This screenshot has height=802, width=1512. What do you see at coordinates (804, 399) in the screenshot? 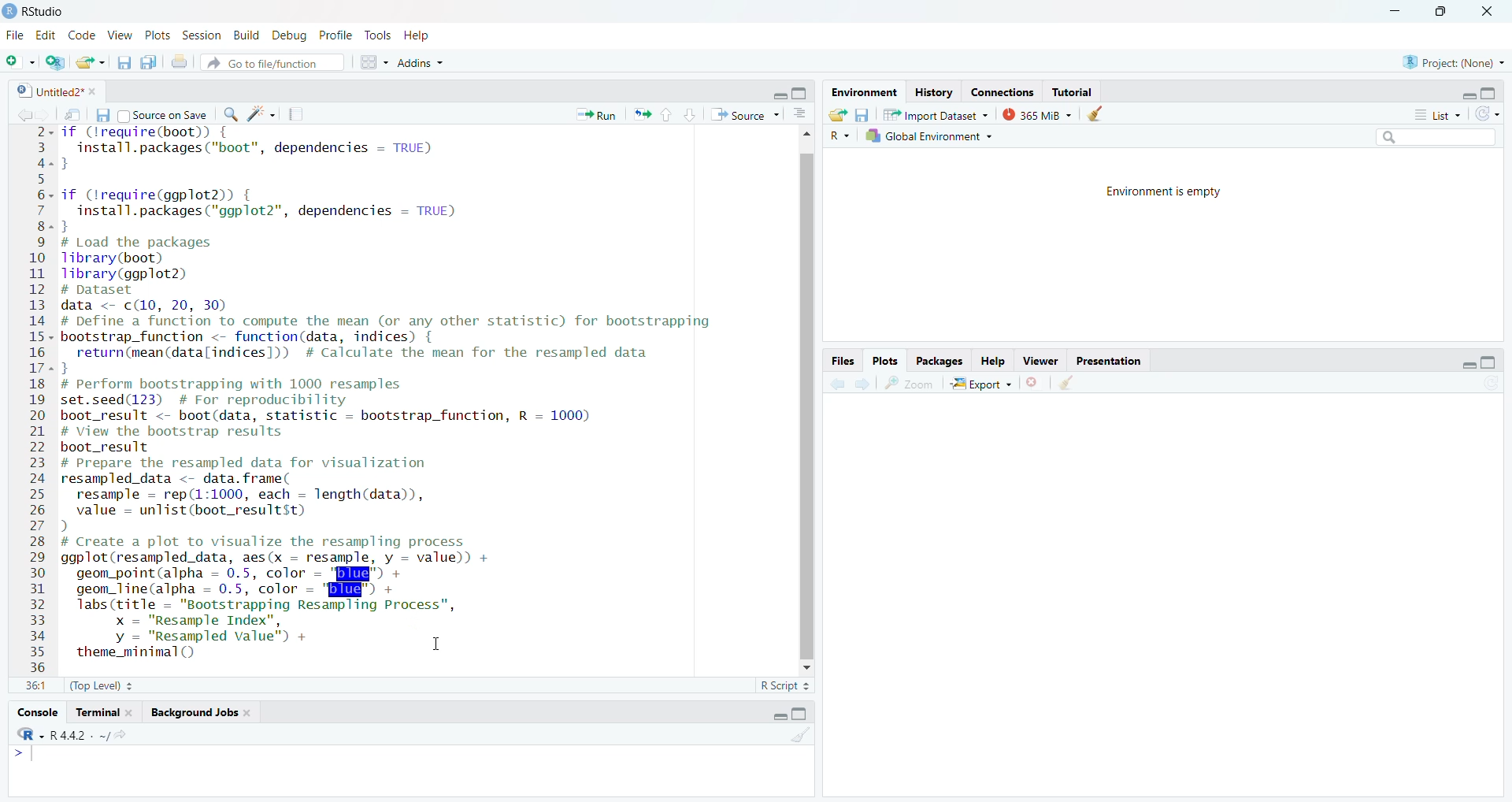
I see `vertical scroll bar` at bounding box center [804, 399].